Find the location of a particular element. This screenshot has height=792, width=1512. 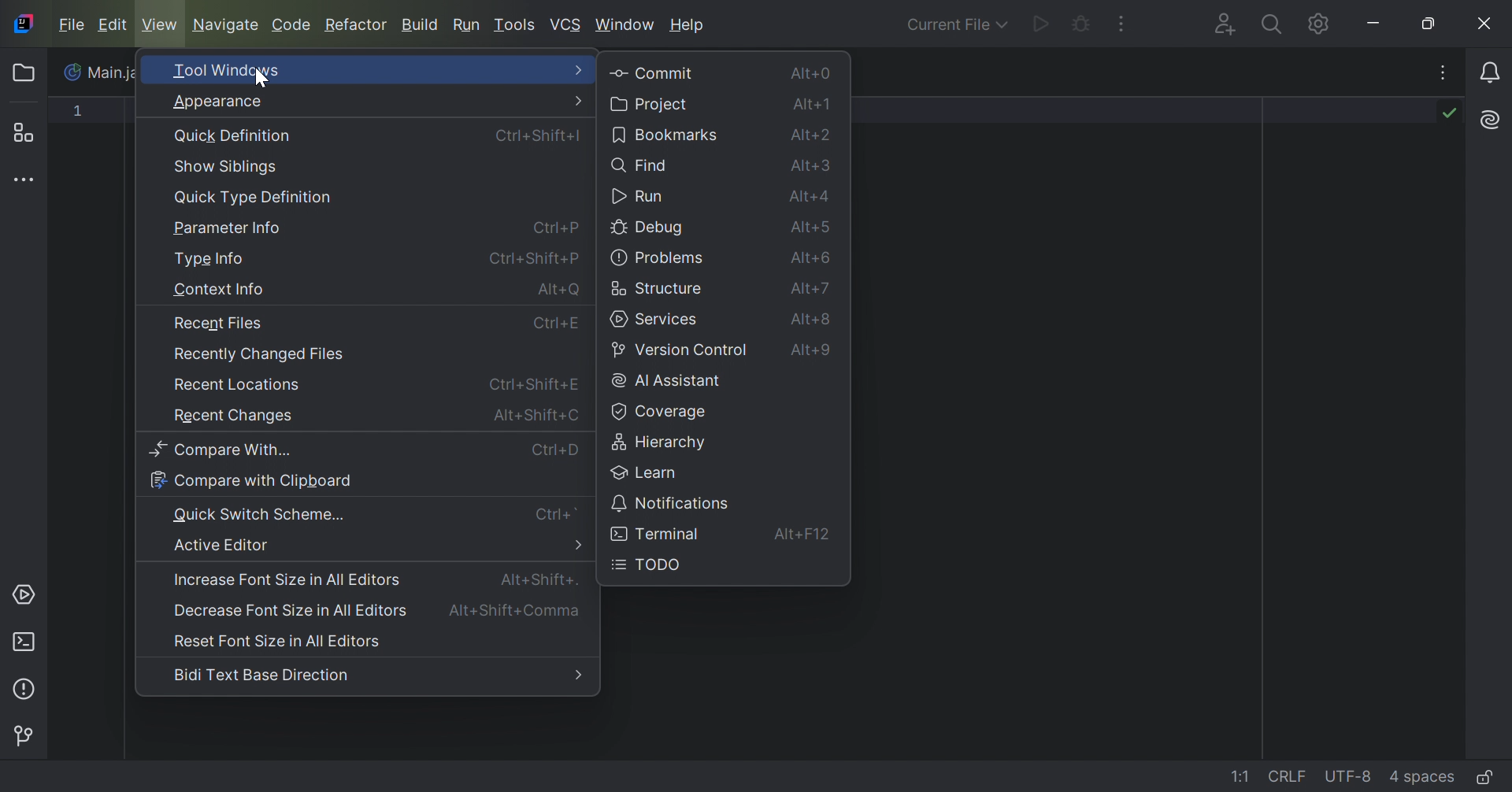

Alt+1 is located at coordinates (813, 105).